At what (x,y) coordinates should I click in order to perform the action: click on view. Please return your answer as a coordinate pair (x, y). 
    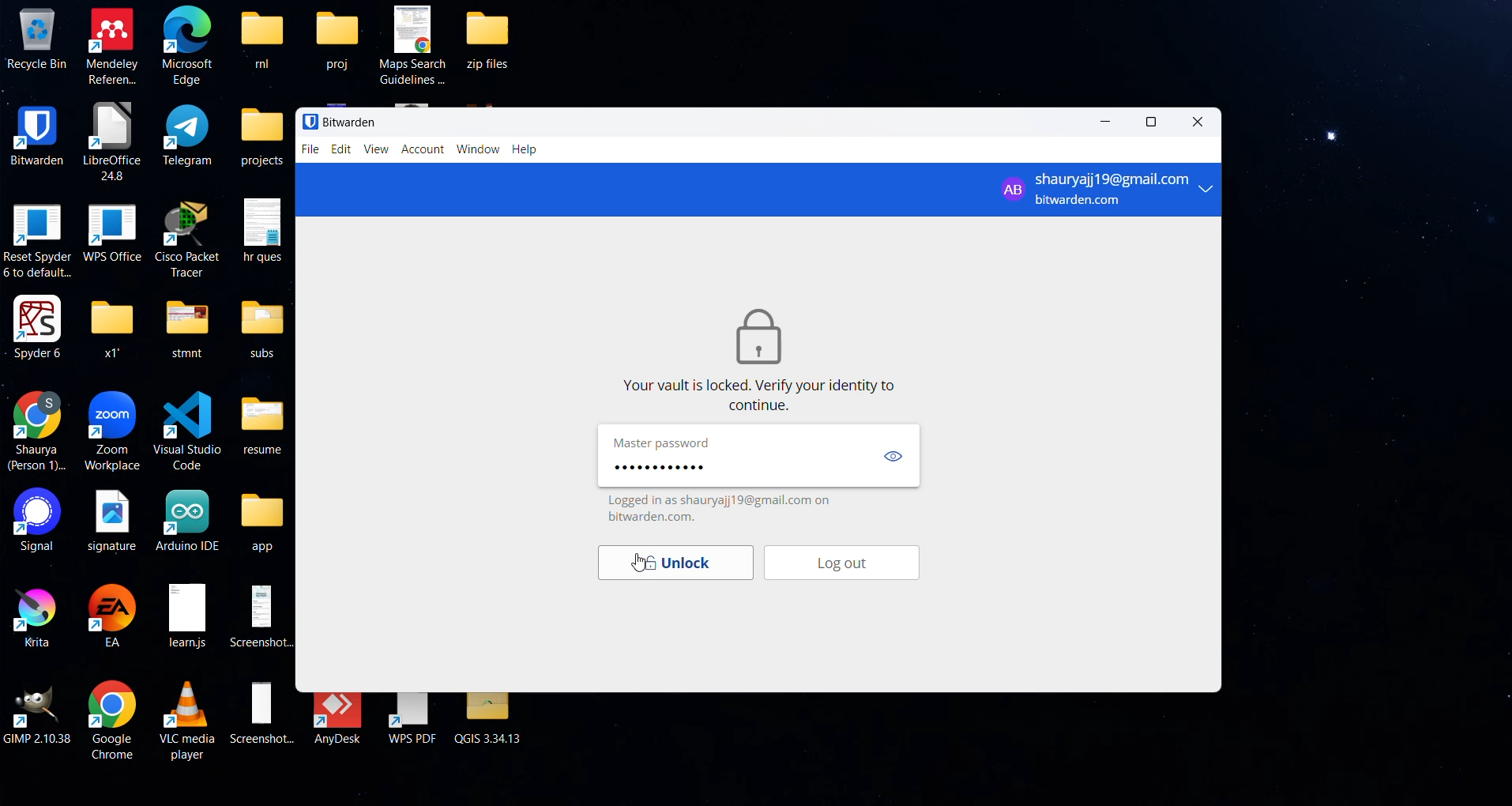
    Looking at the image, I should click on (376, 151).